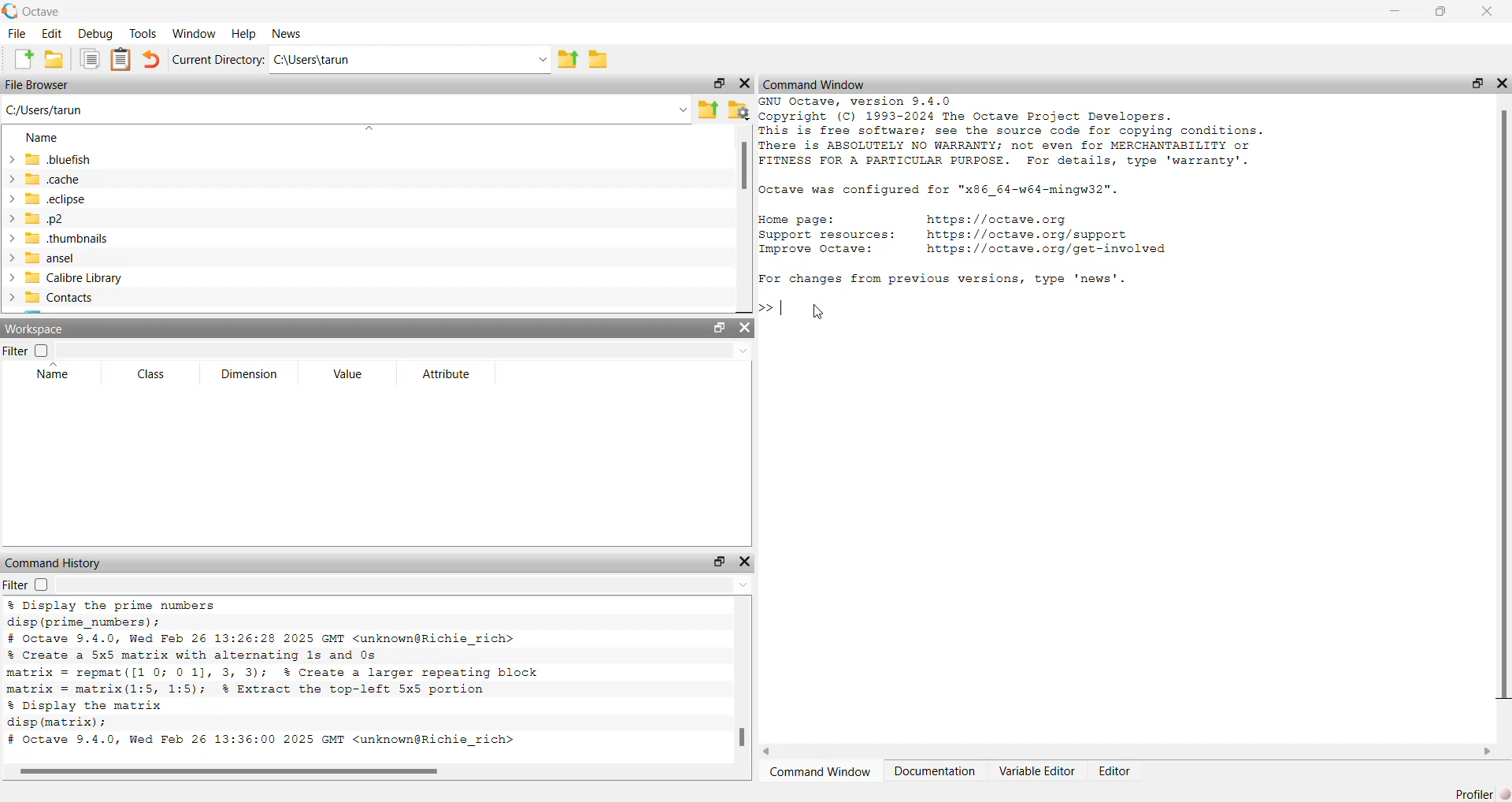 The image size is (1512, 802). Describe the element at coordinates (773, 750) in the screenshot. I see `move left` at that location.